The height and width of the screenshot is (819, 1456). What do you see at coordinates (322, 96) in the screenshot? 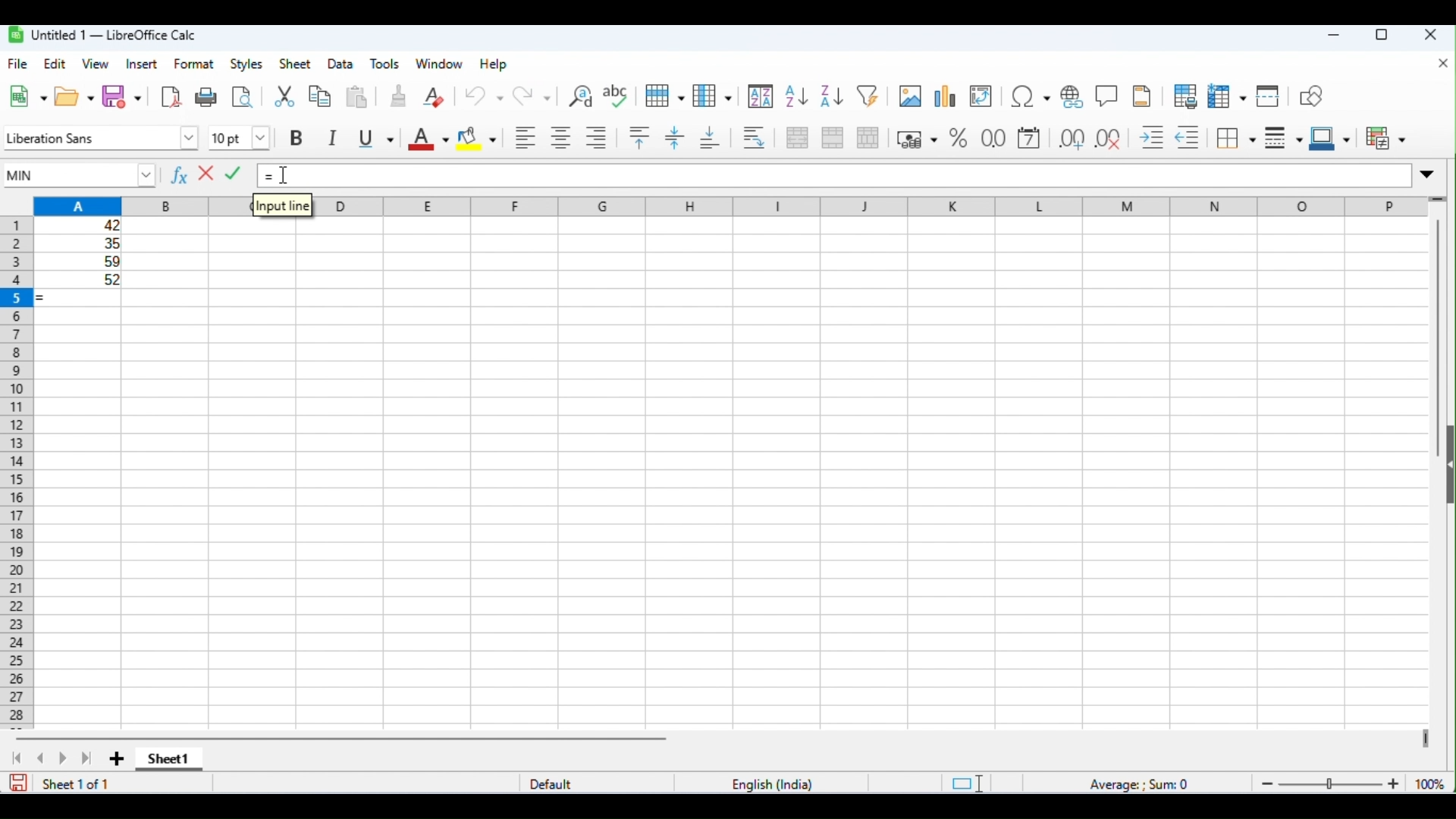
I see `copy` at bounding box center [322, 96].